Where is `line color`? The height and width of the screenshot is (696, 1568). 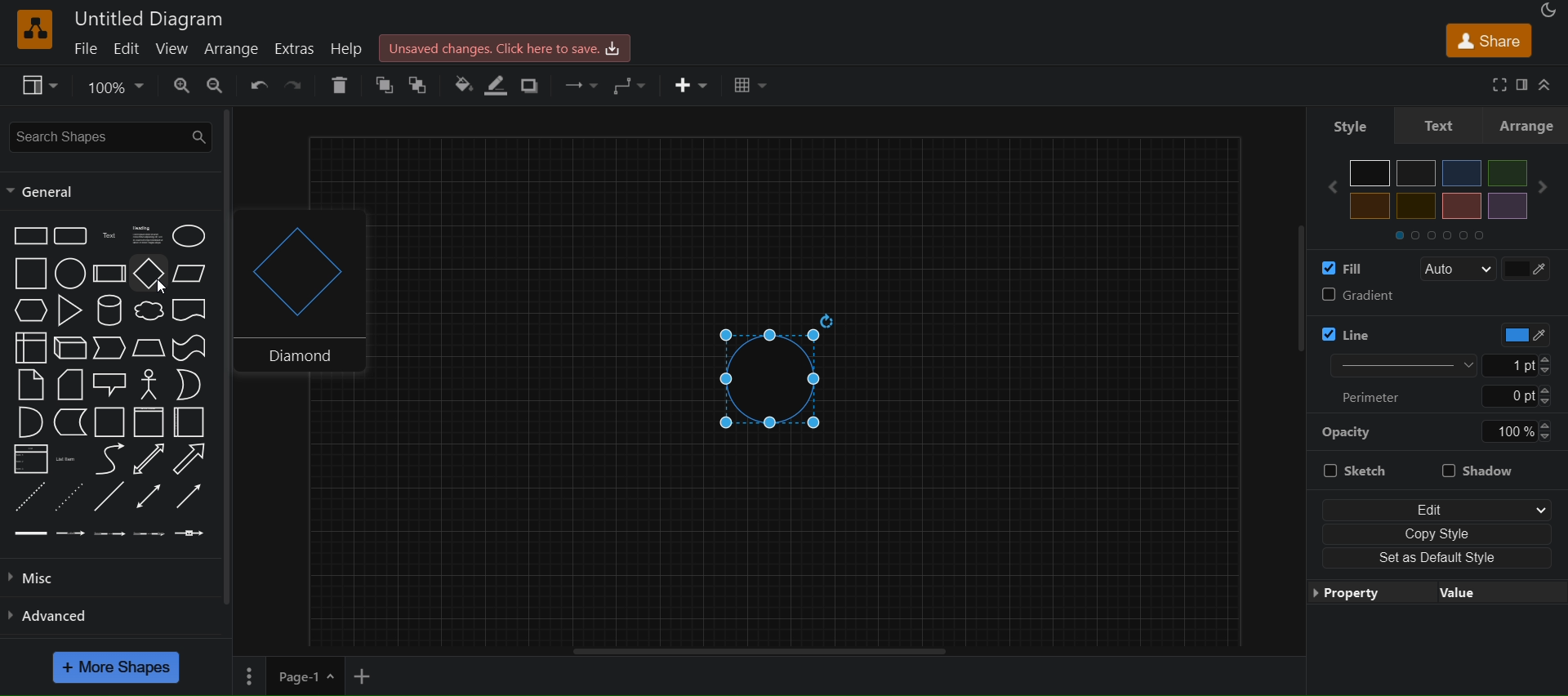 line color is located at coordinates (1383, 330).